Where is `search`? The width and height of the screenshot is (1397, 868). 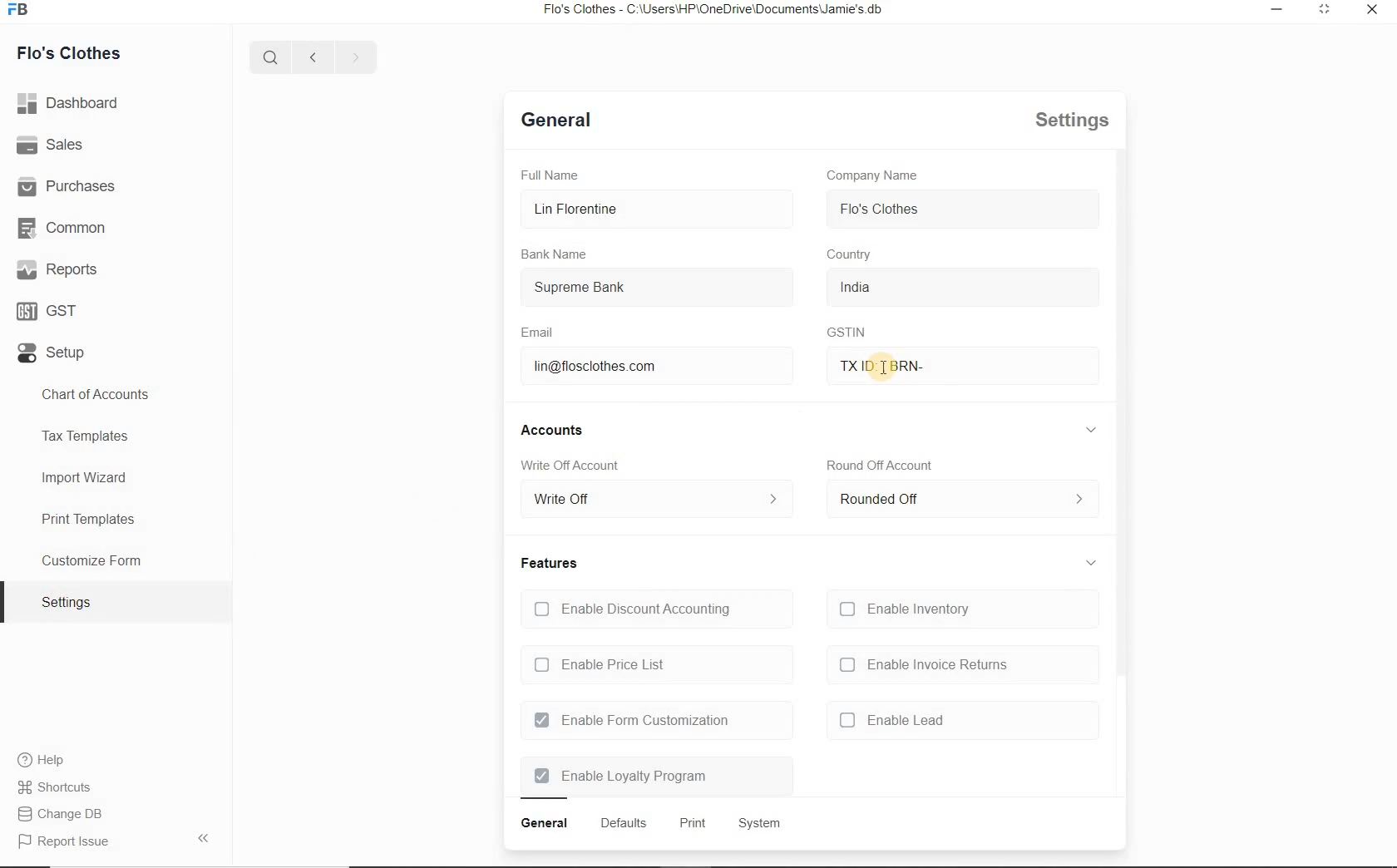
search is located at coordinates (274, 57).